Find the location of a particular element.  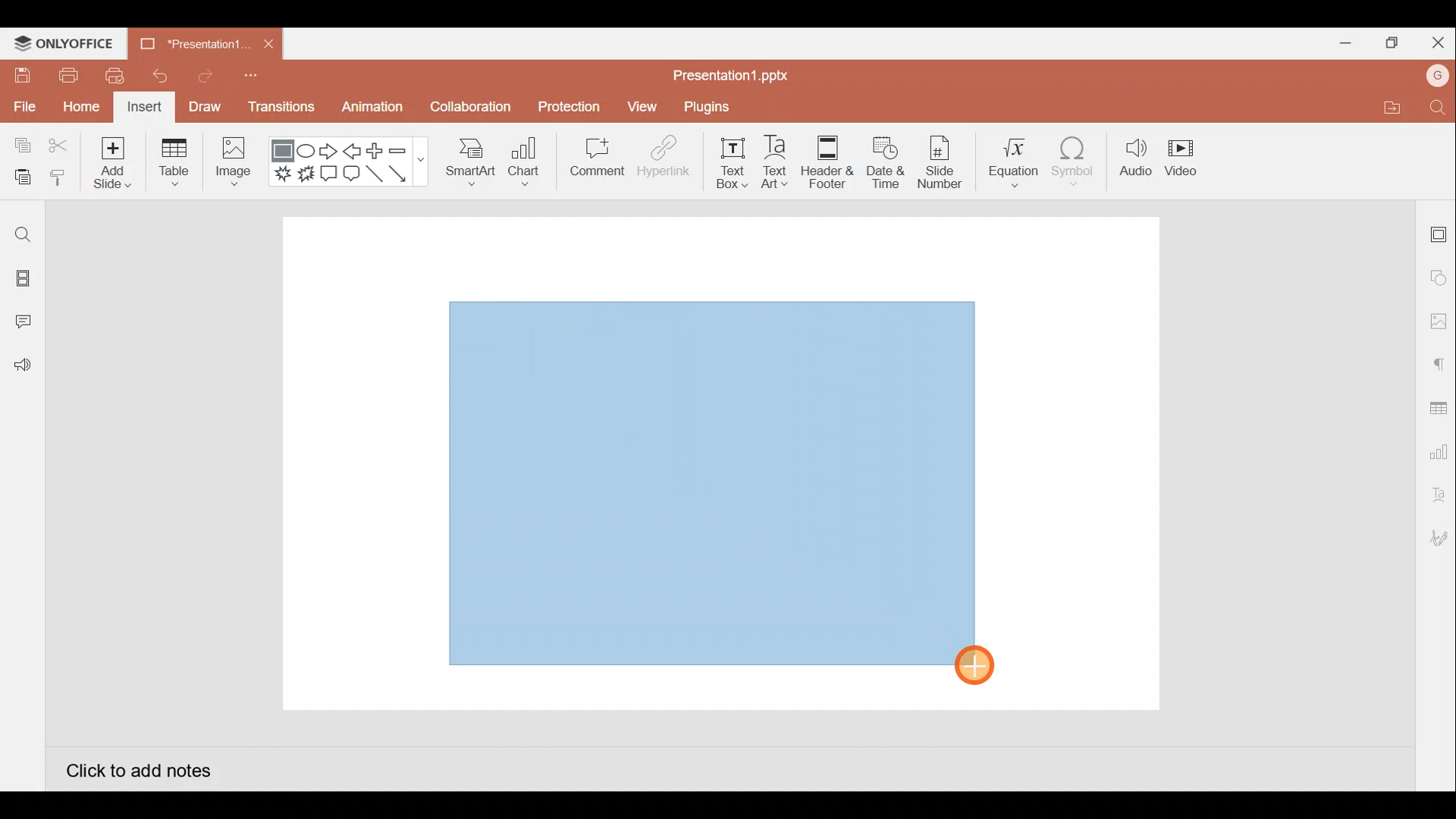

Draw is located at coordinates (204, 106).